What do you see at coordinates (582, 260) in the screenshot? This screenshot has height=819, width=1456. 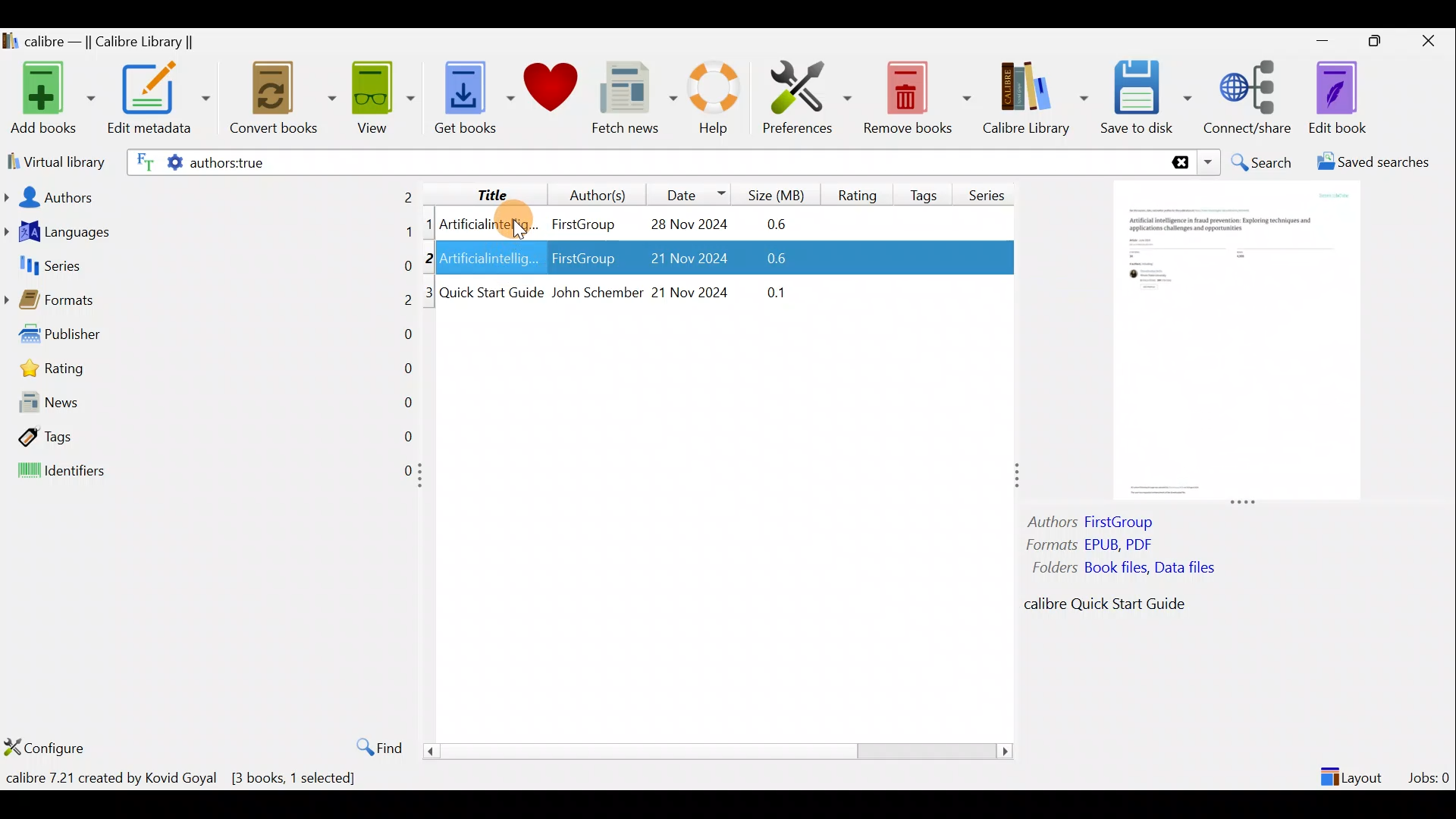 I see `FirstGroup` at bounding box center [582, 260].